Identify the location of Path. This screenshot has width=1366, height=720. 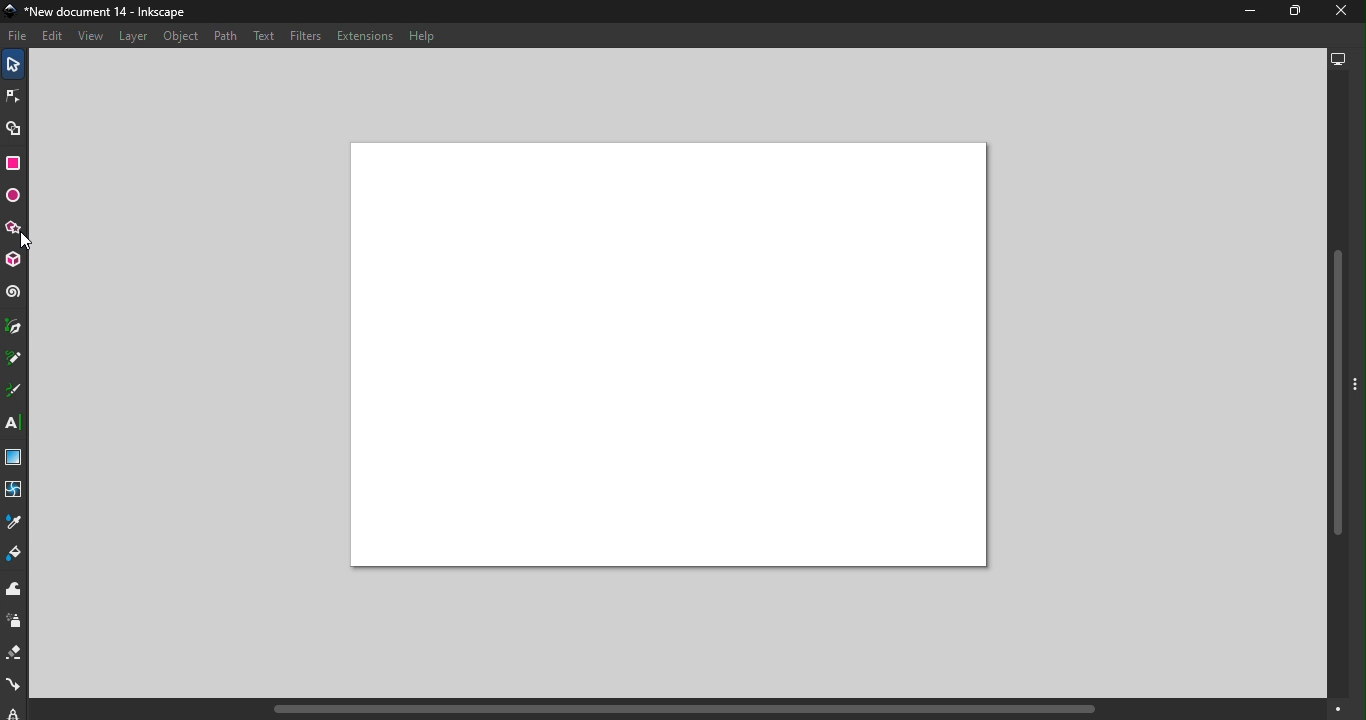
(227, 35).